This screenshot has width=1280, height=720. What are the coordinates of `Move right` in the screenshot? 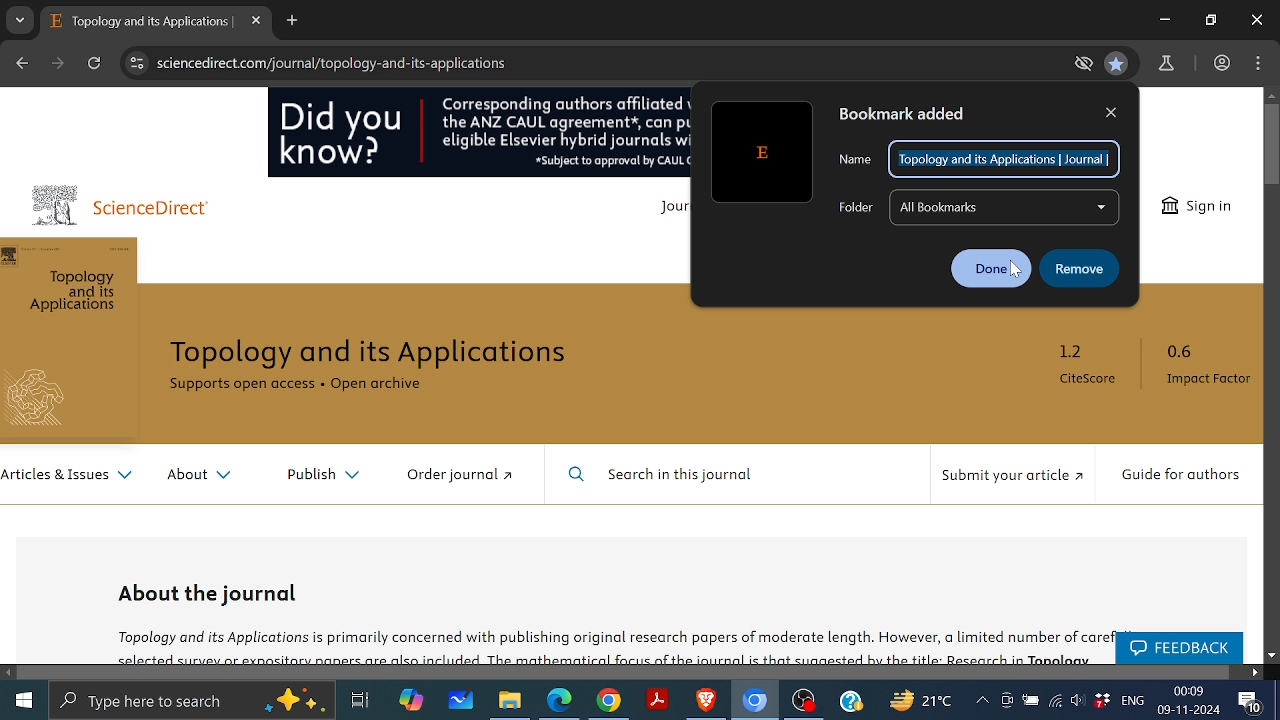 It's located at (1254, 672).